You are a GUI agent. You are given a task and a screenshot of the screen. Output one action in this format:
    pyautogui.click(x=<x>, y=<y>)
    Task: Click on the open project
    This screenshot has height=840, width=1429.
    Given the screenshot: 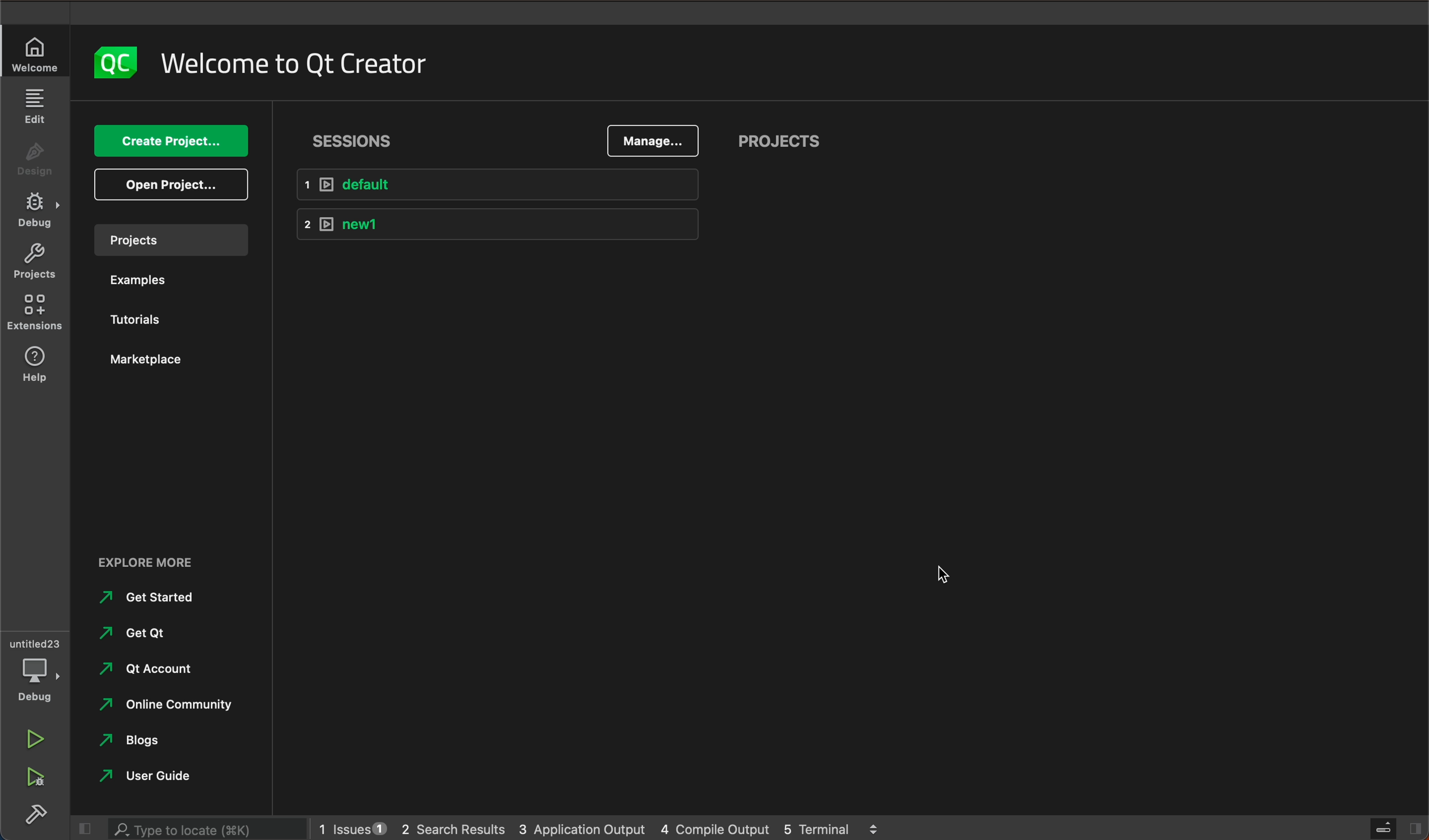 What is the action you would take?
    pyautogui.click(x=175, y=185)
    